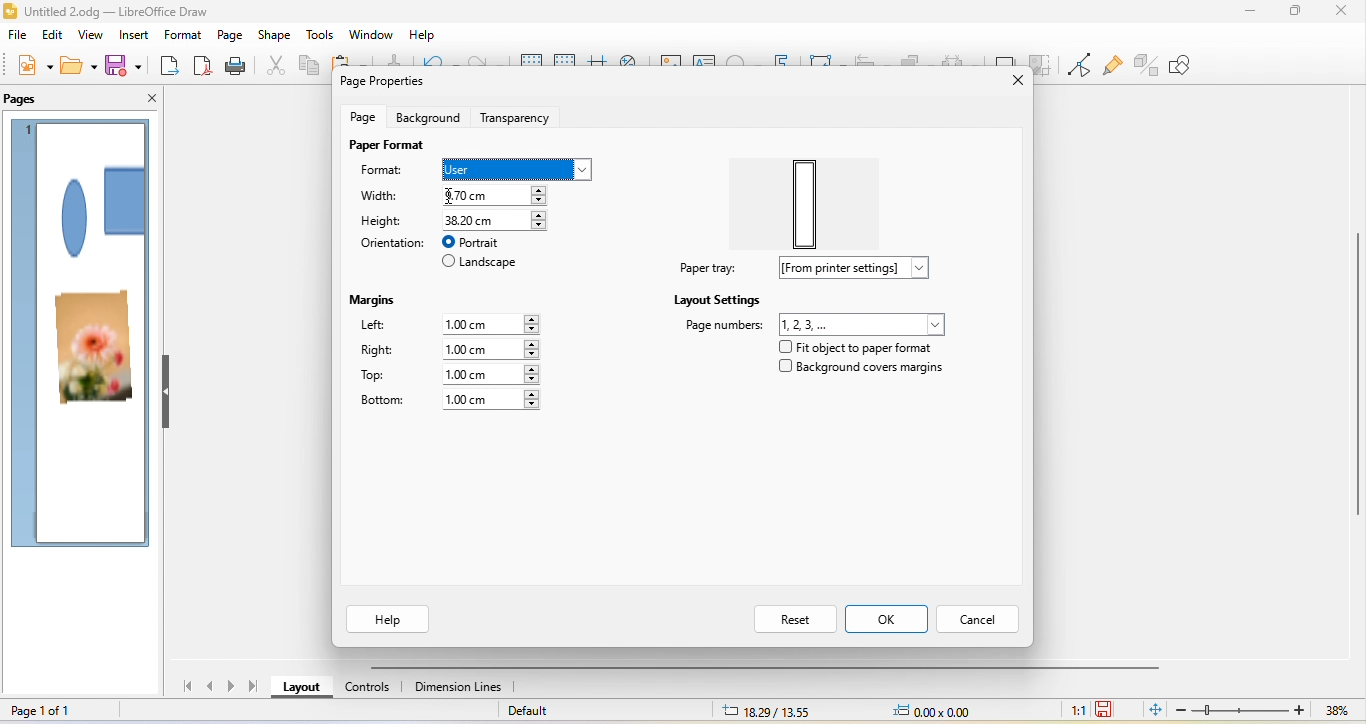 This screenshot has height=724, width=1366. I want to click on edit, so click(55, 37).